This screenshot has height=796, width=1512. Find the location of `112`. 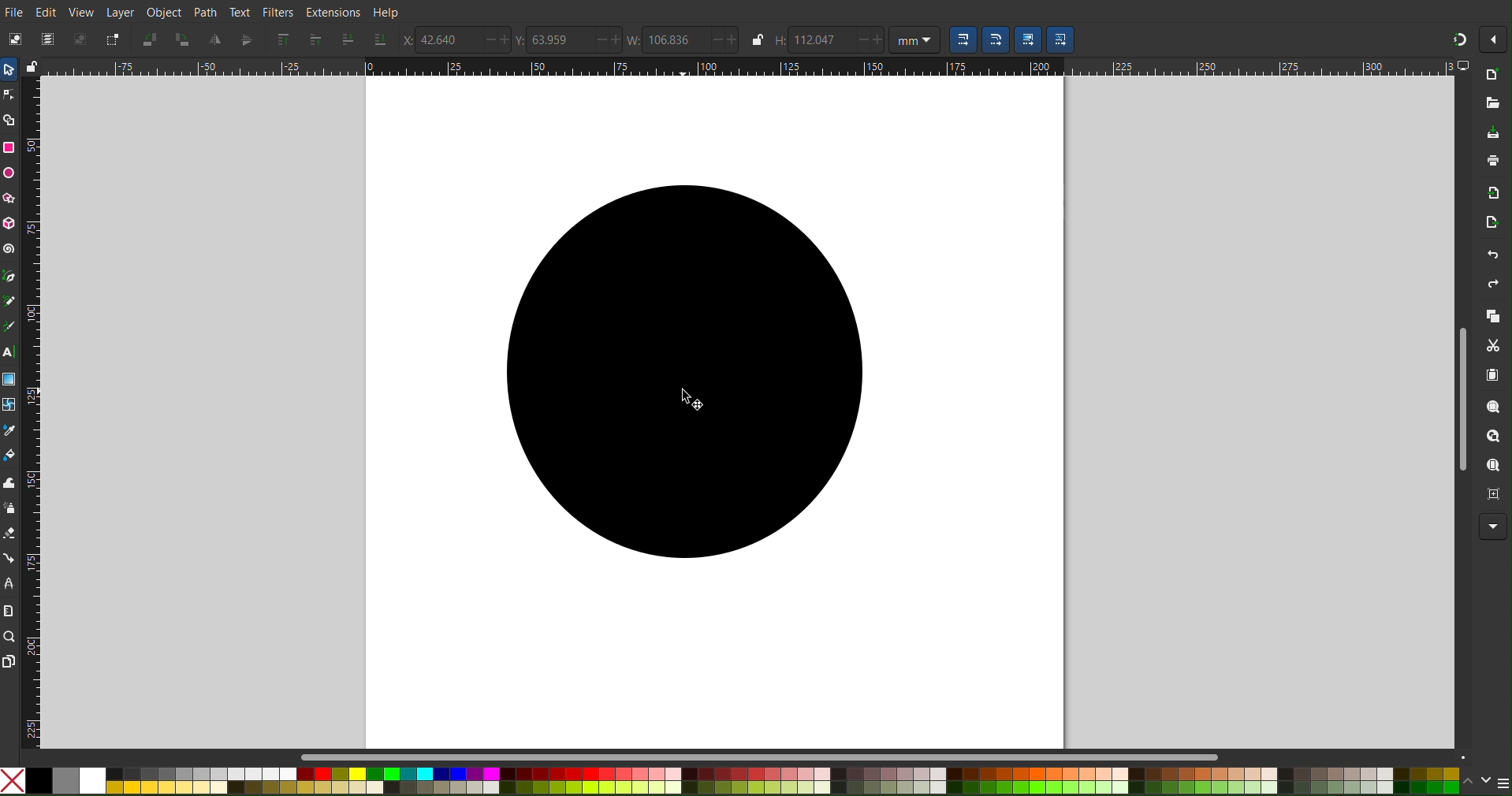

112 is located at coordinates (821, 39).